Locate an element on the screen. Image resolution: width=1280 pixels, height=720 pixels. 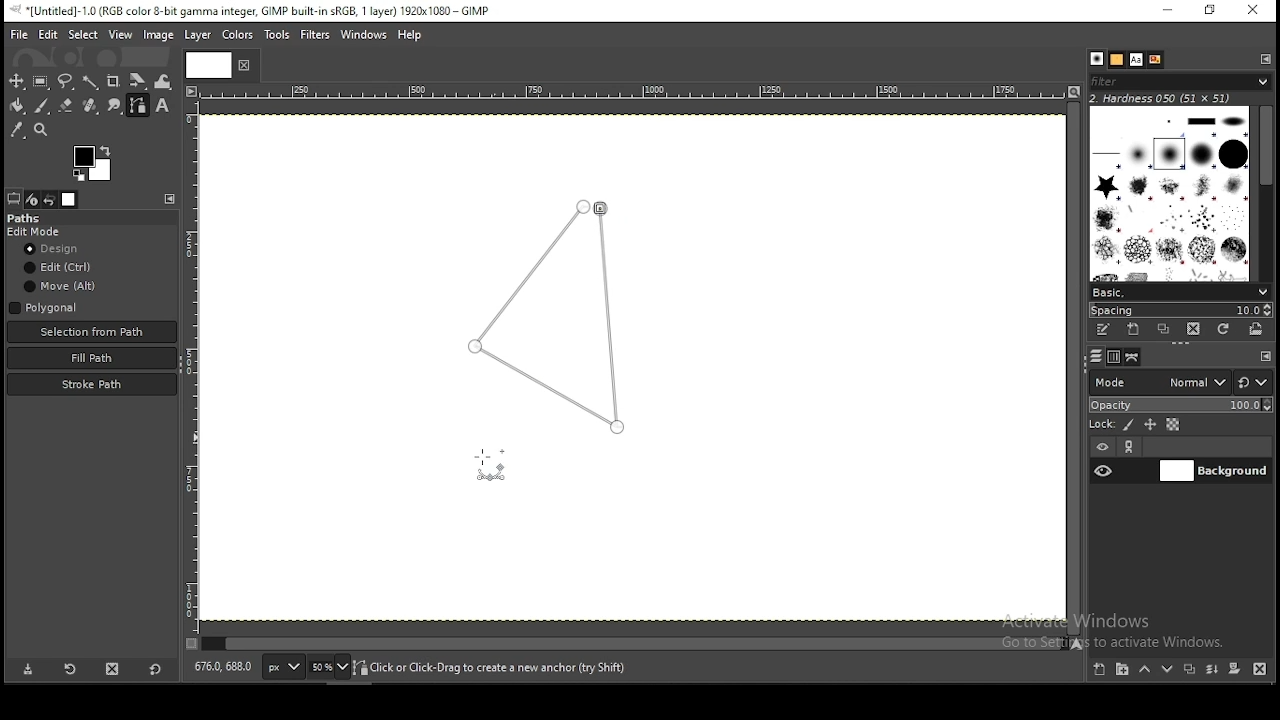
refresh brushes is located at coordinates (1223, 330).